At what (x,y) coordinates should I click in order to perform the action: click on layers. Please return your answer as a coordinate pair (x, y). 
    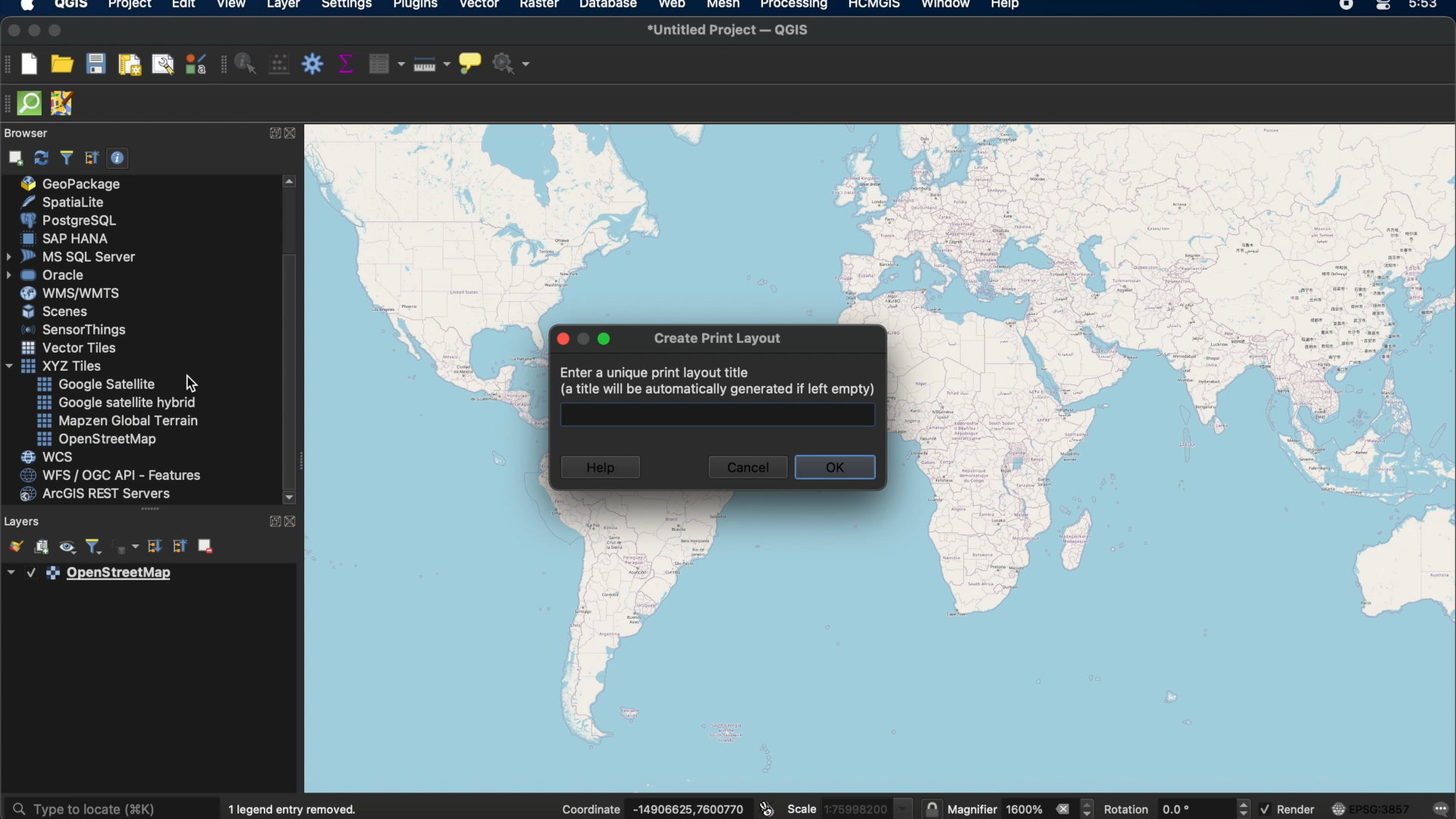
    Looking at the image, I should click on (21, 520).